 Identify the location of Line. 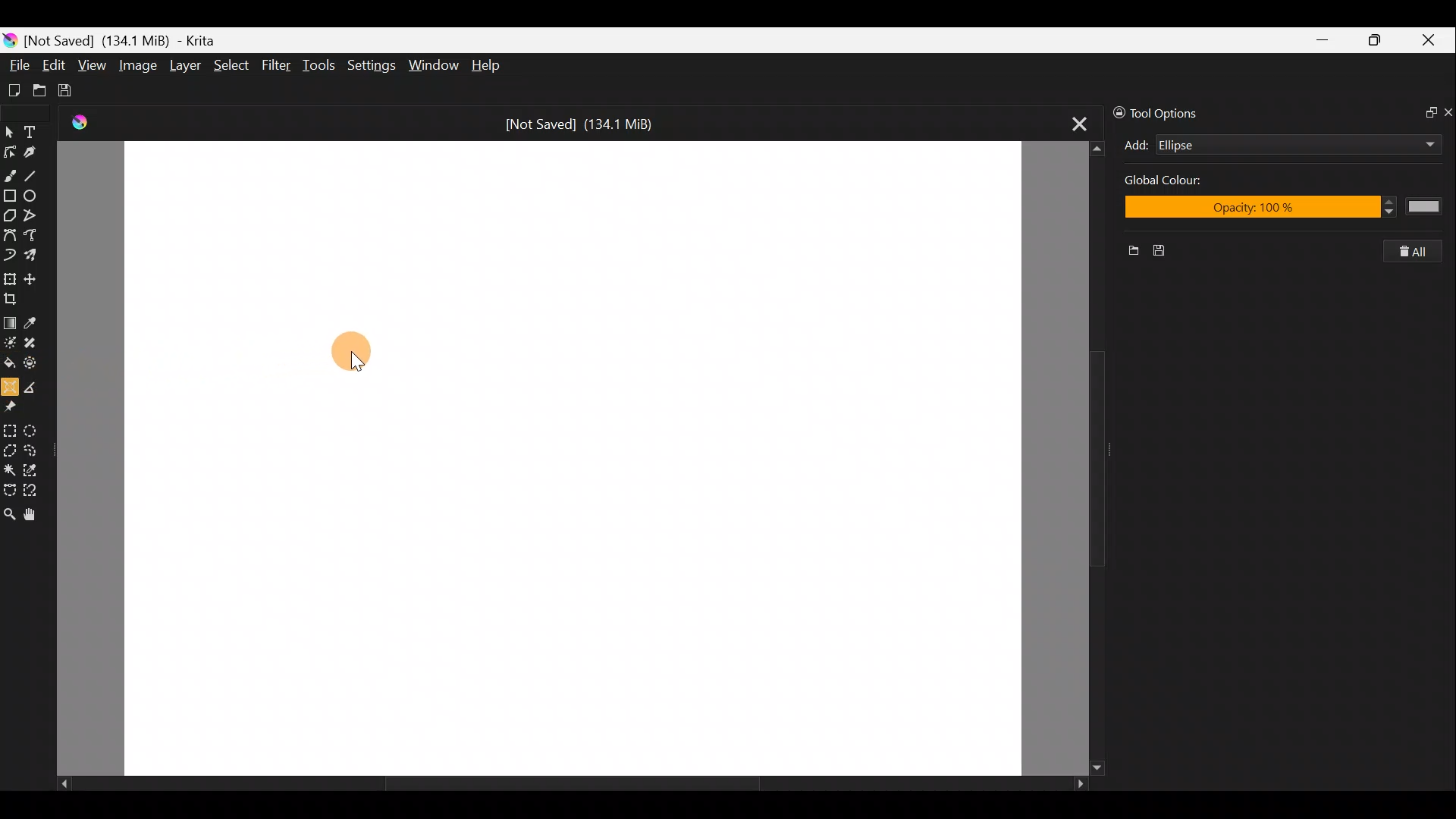
(37, 175).